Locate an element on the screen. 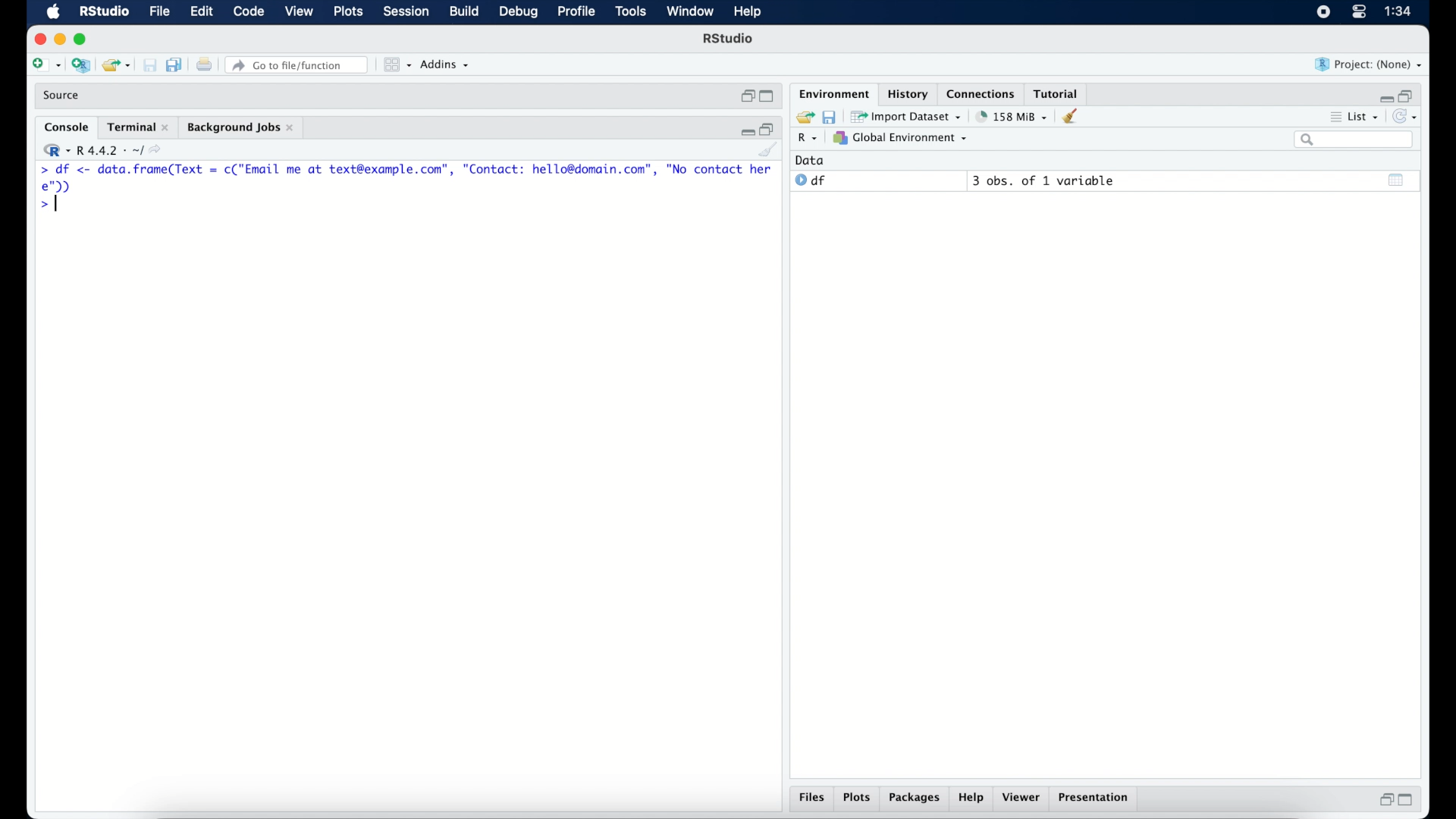 The height and width of the screenshot is (819, 1456). file is located at coordinates (160, 12).